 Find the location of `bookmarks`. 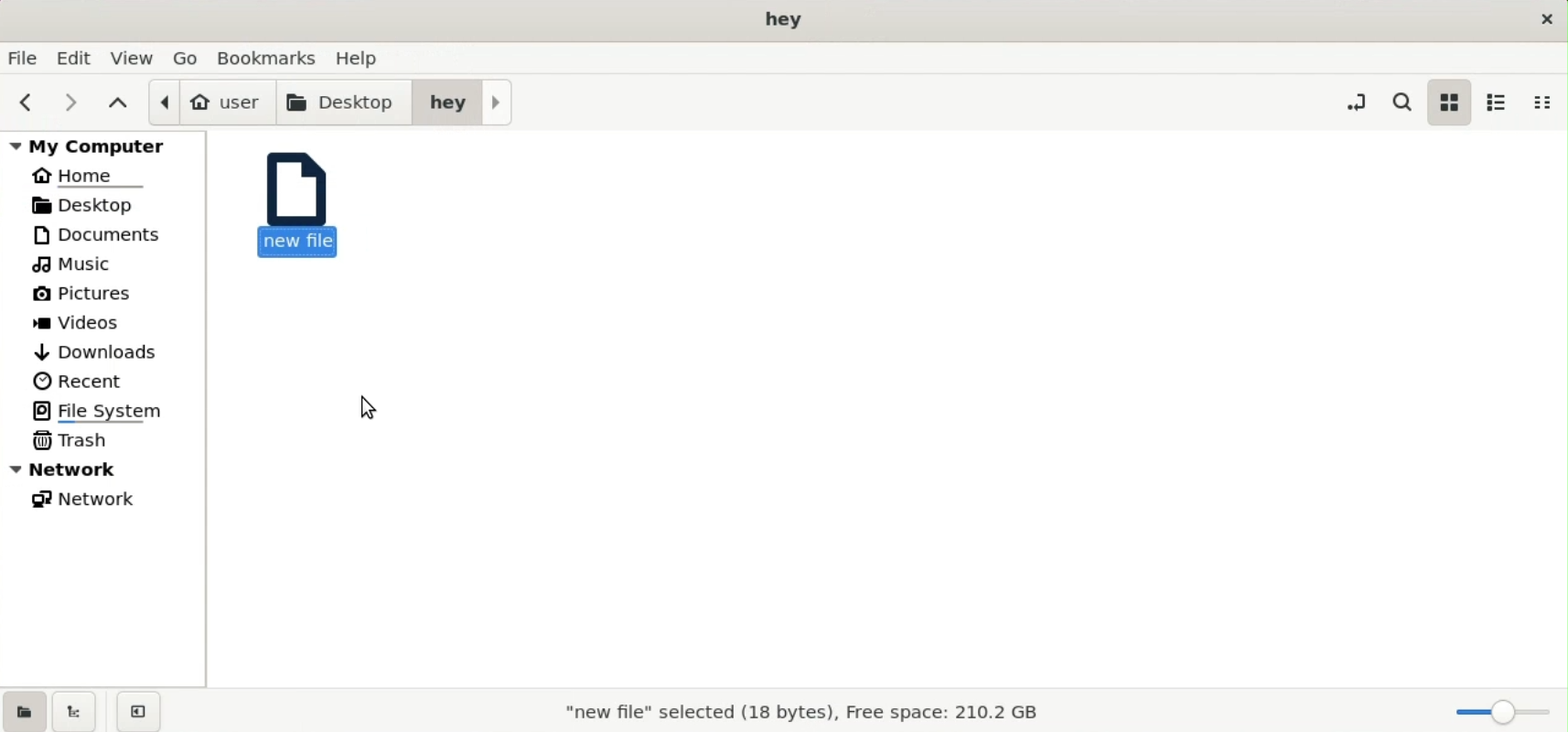

bookmarks is located at coordinates (272, 56).